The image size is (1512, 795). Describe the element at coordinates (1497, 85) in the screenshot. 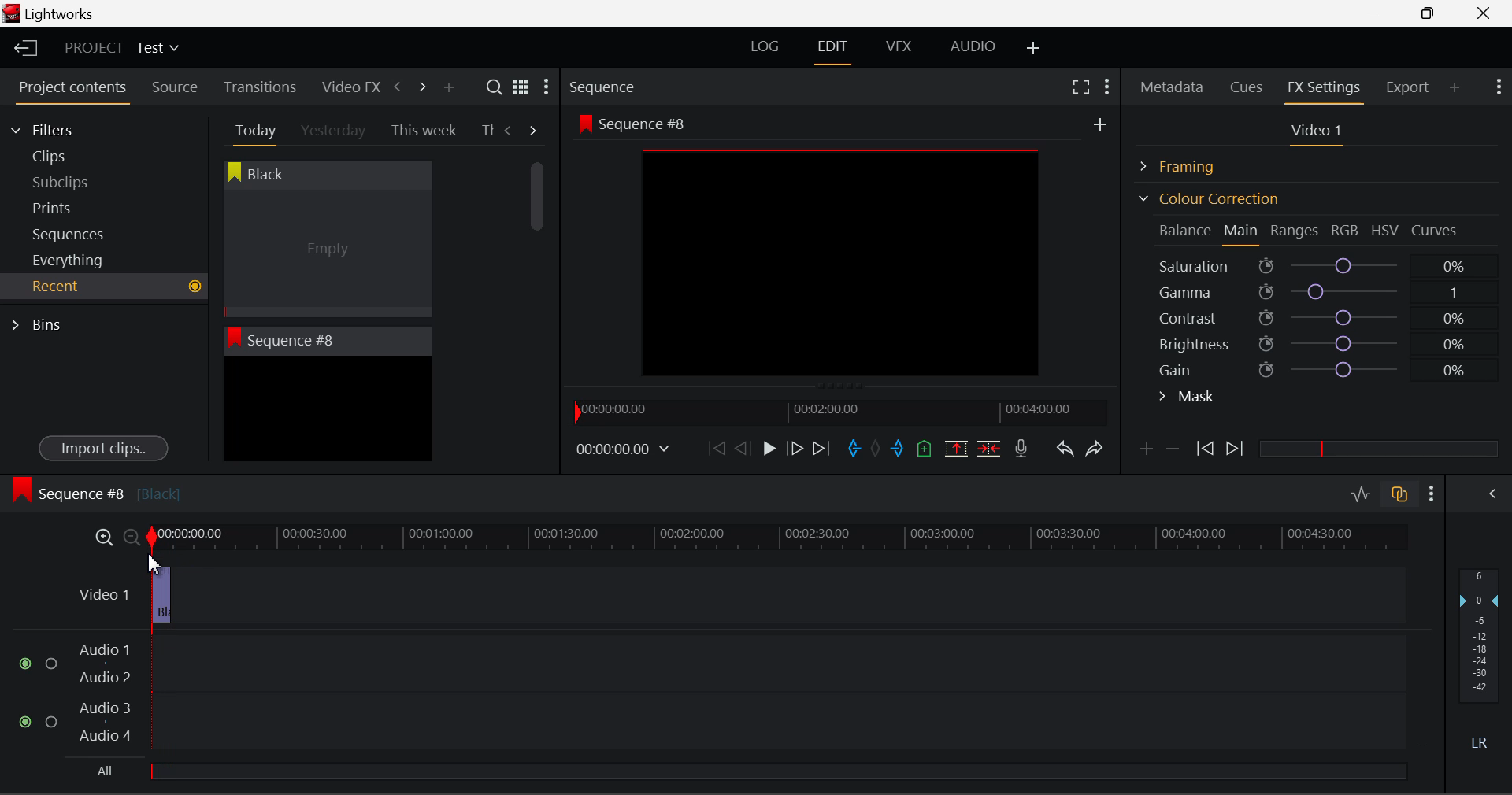

I see `Show Settings` at that location.